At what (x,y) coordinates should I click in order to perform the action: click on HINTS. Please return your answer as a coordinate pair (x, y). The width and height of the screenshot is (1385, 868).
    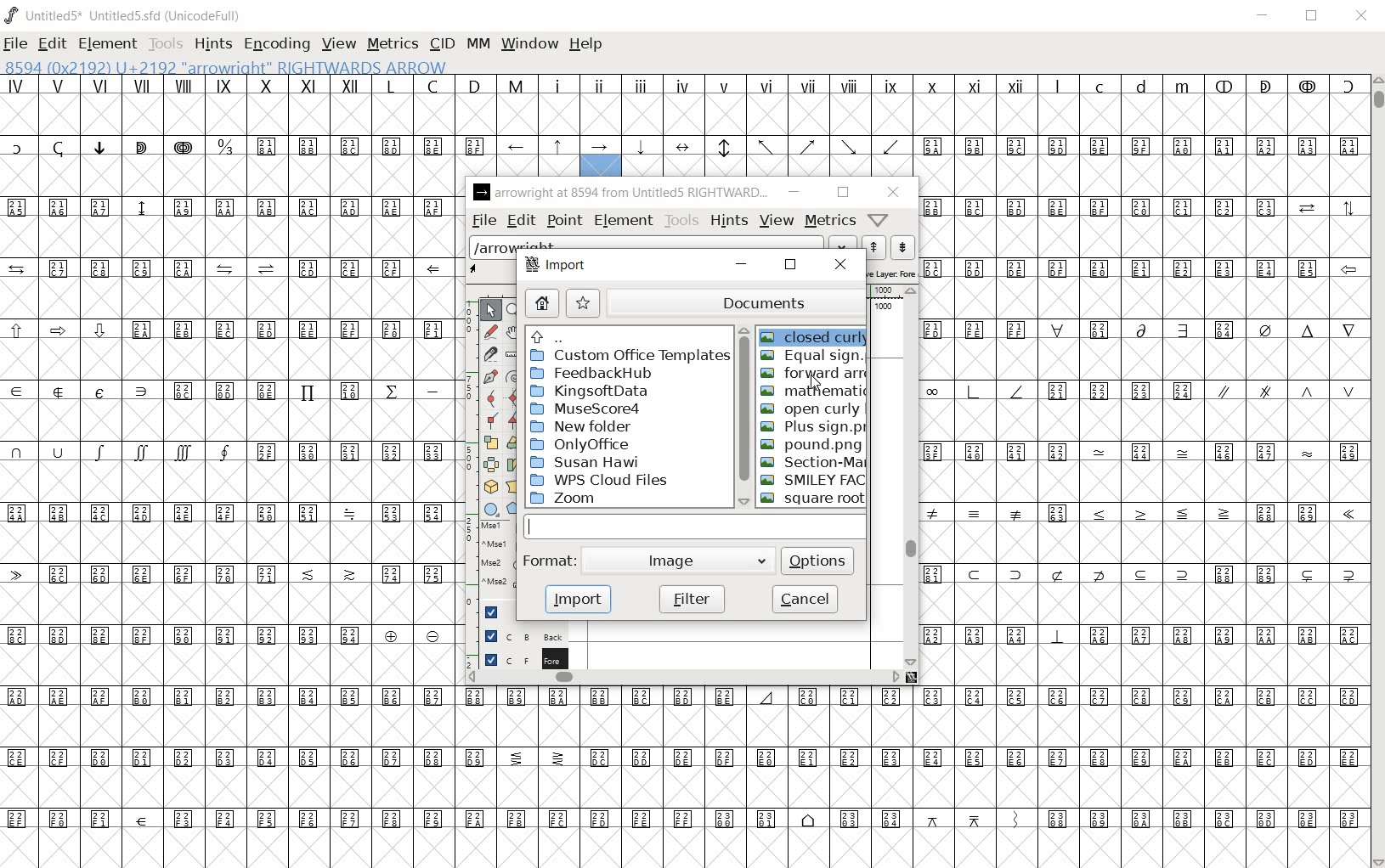
    Looking at the image, I should click on (211, 43).